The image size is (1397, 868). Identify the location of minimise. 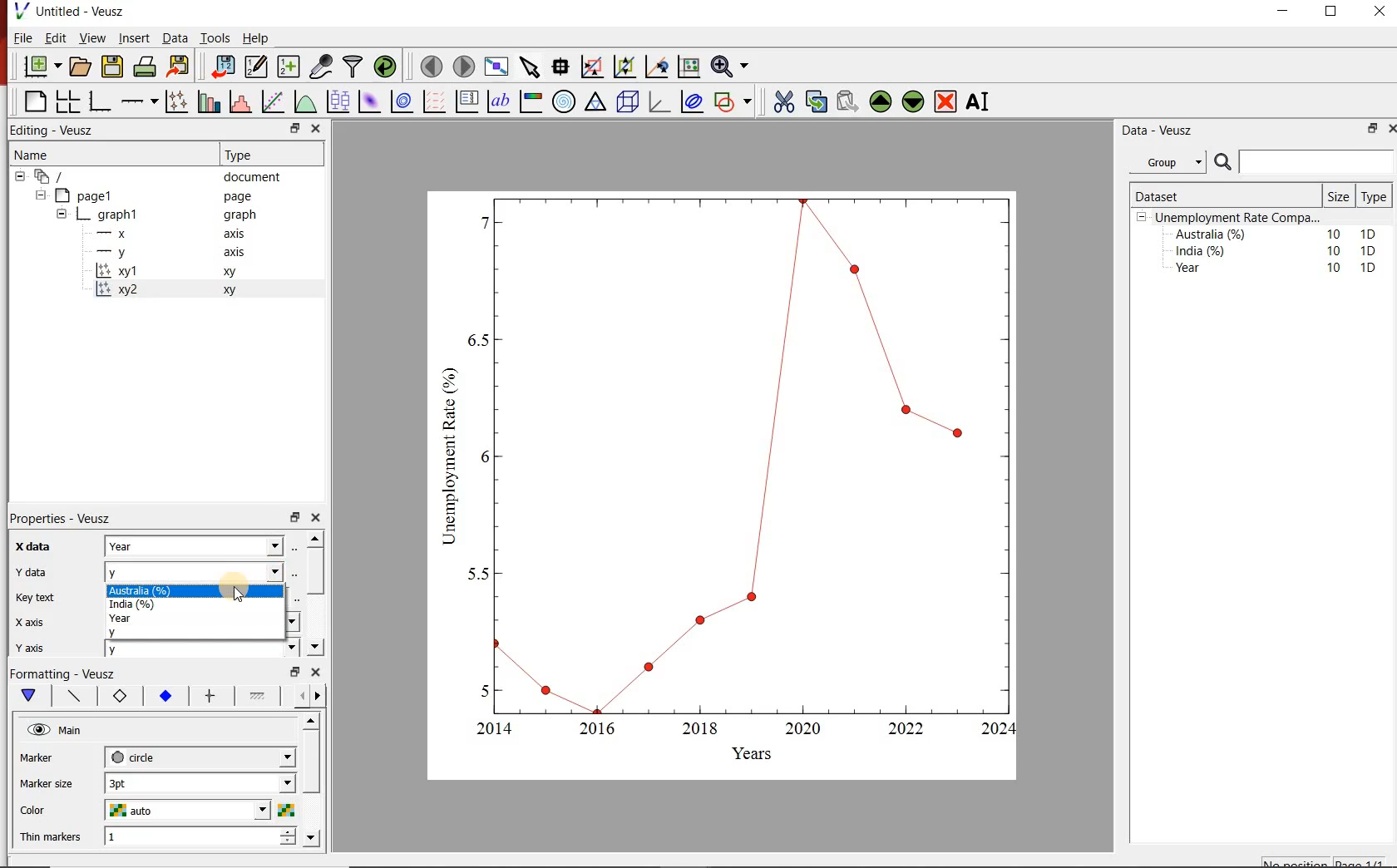
(1287, 15).